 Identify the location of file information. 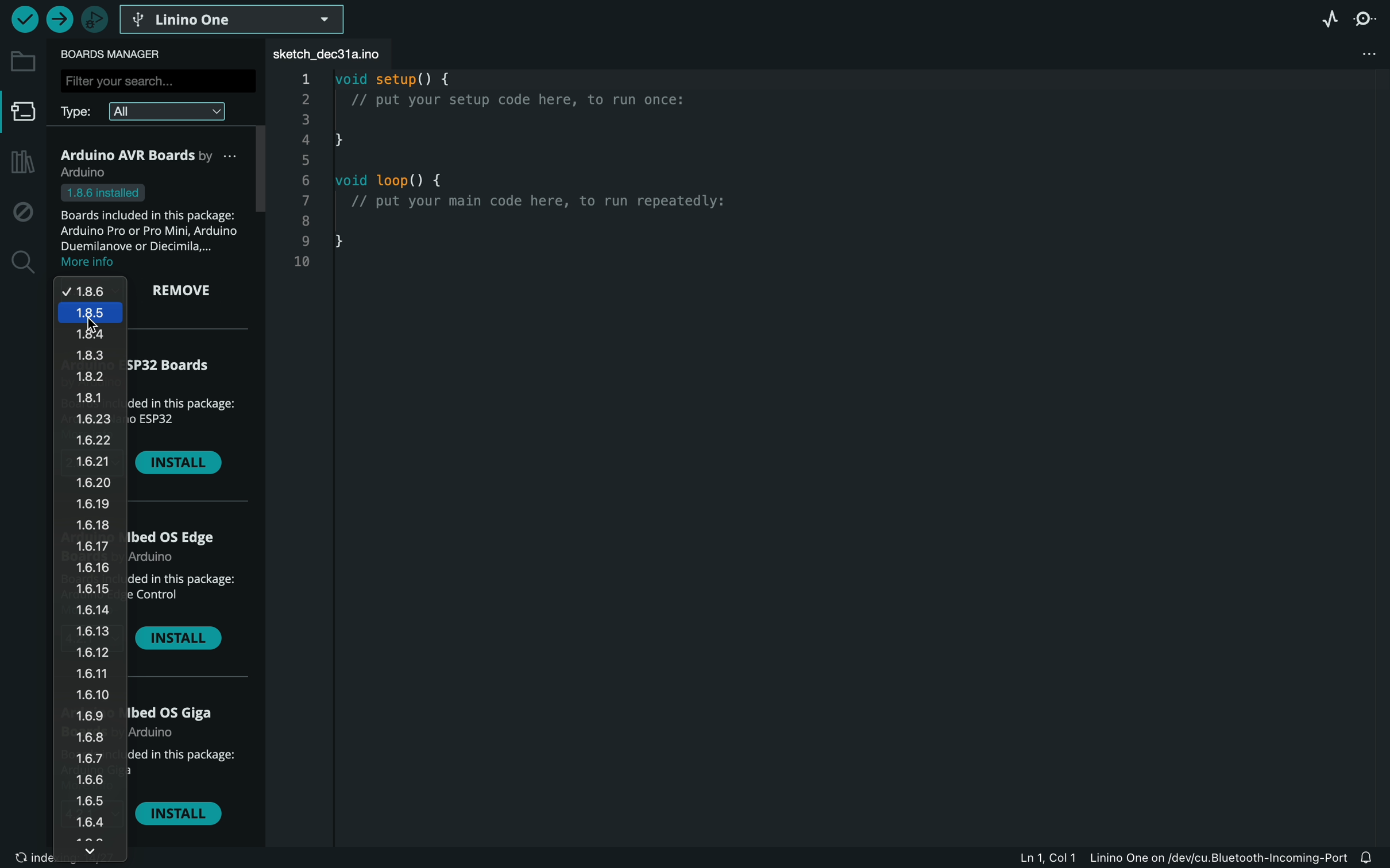
(1182, 857).